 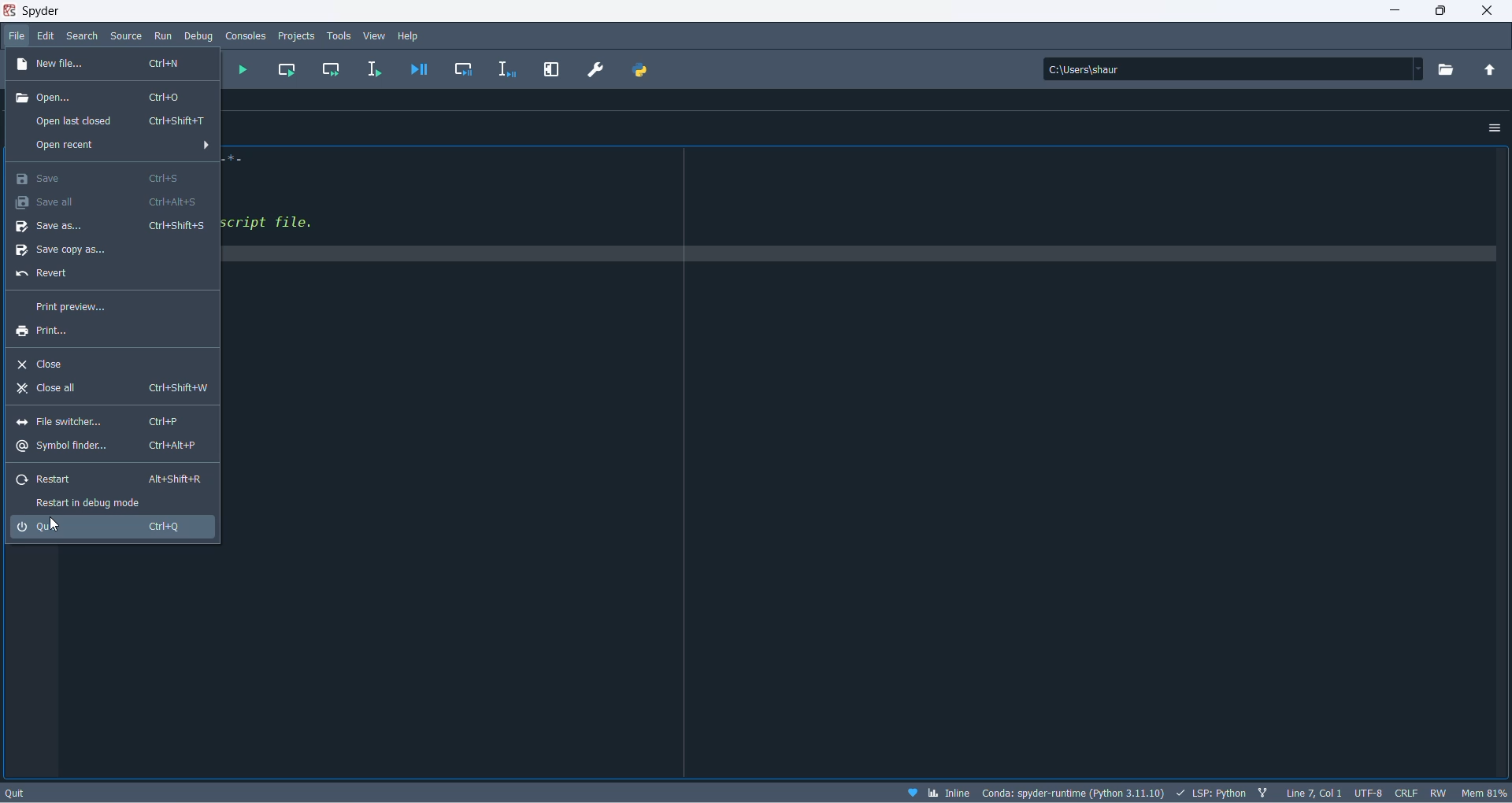 I want to click on restart, so click(x=114, y=479).